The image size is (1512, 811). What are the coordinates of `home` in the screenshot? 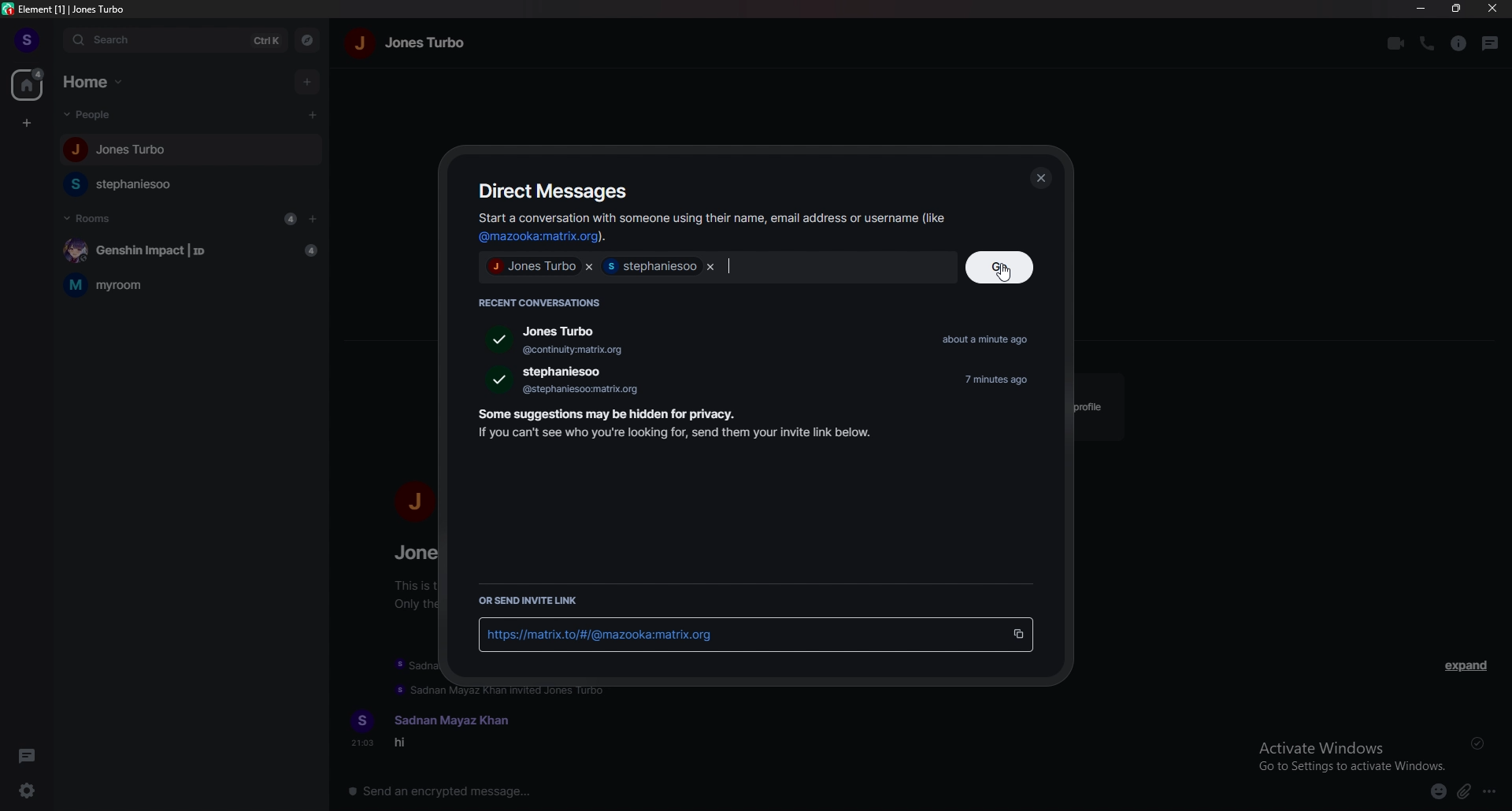 It's located at (98, 82).